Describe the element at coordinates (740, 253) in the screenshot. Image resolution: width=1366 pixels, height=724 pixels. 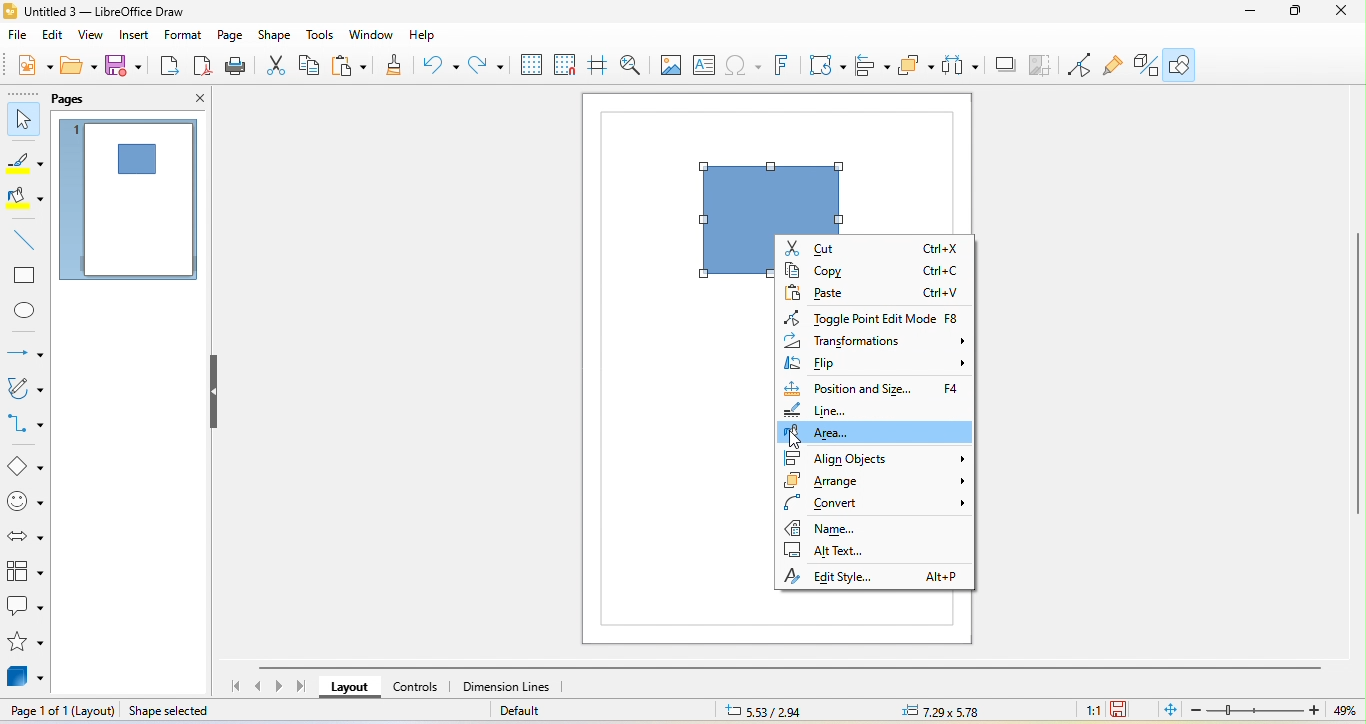
I see `shape` at that location.